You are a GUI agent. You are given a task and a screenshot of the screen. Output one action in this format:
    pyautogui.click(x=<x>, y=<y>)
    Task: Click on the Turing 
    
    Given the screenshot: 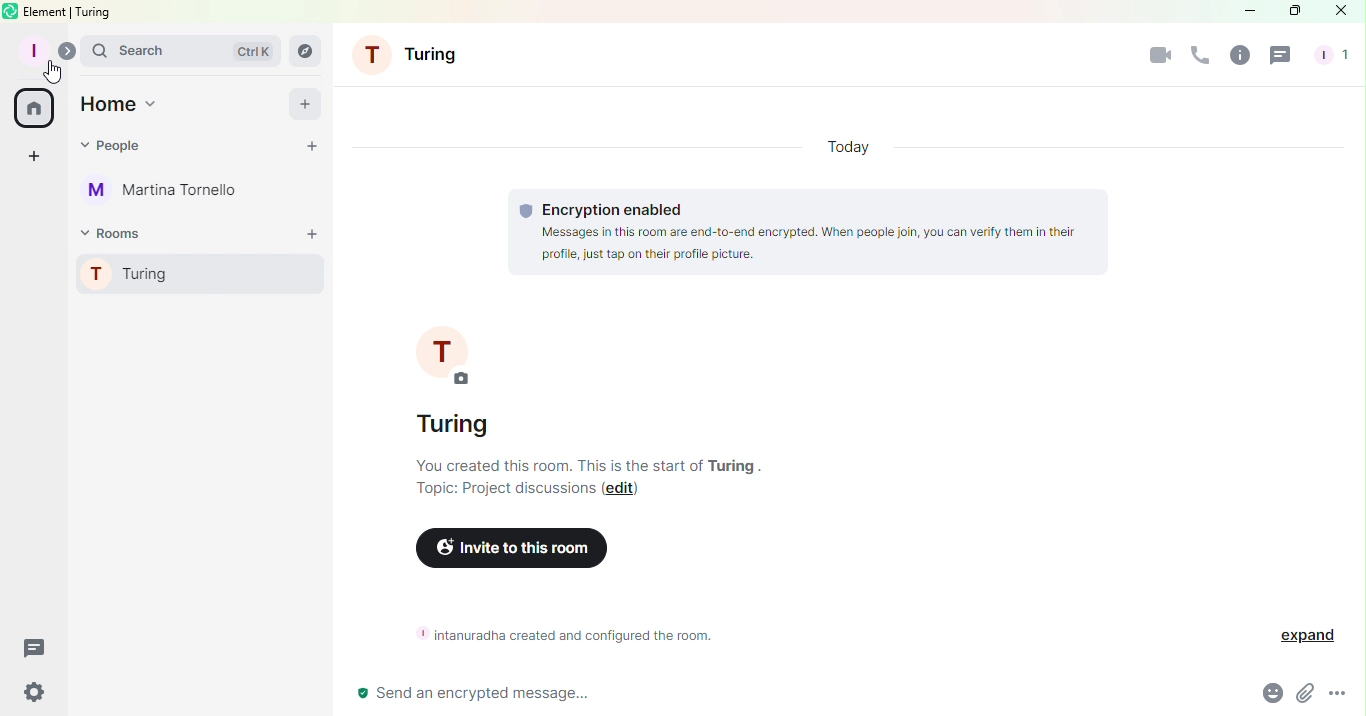 What is the action you would take?
    pyautogui.click(x=413, y=53)
    